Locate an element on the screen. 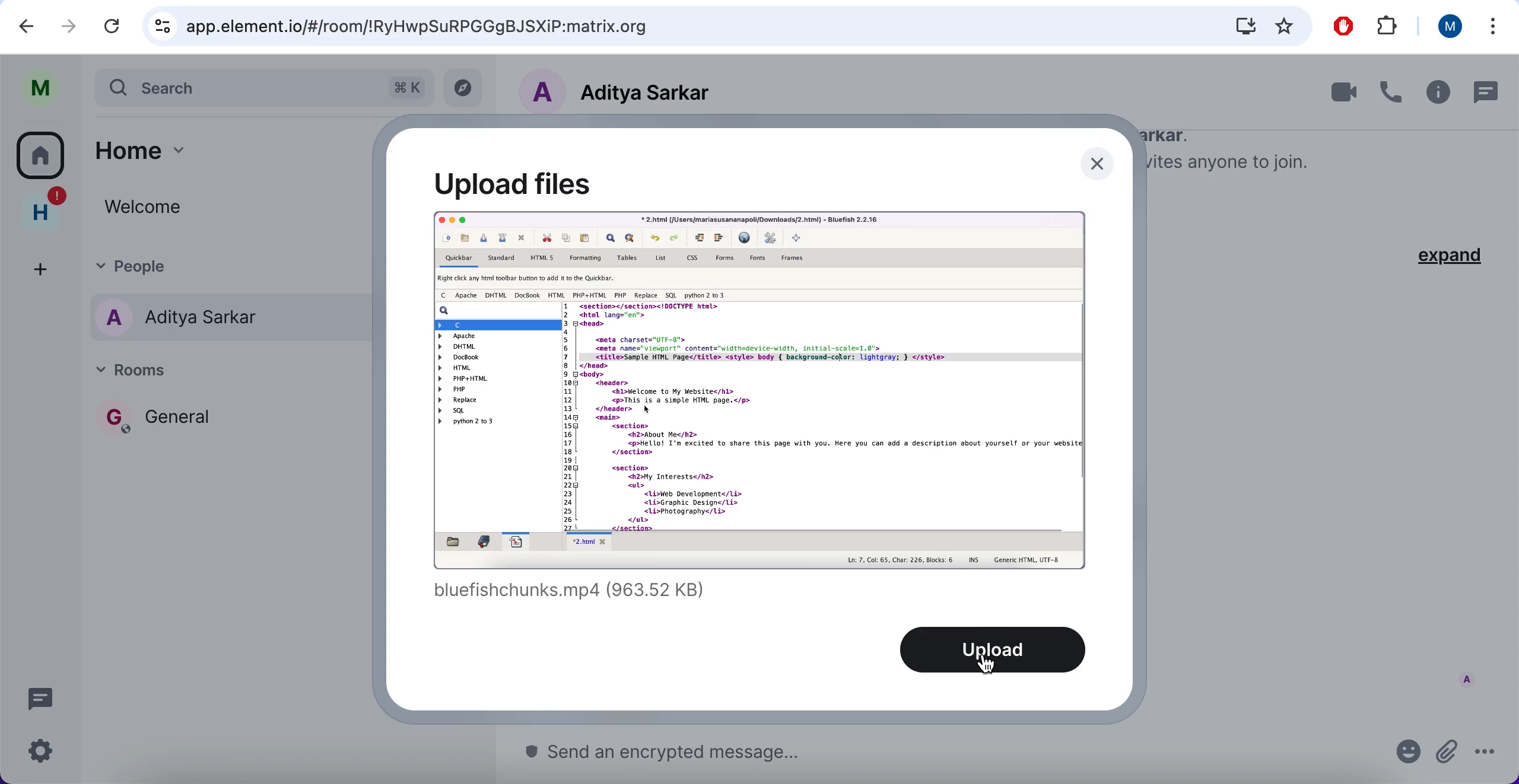  upload files is located at coordinates (519, 186).